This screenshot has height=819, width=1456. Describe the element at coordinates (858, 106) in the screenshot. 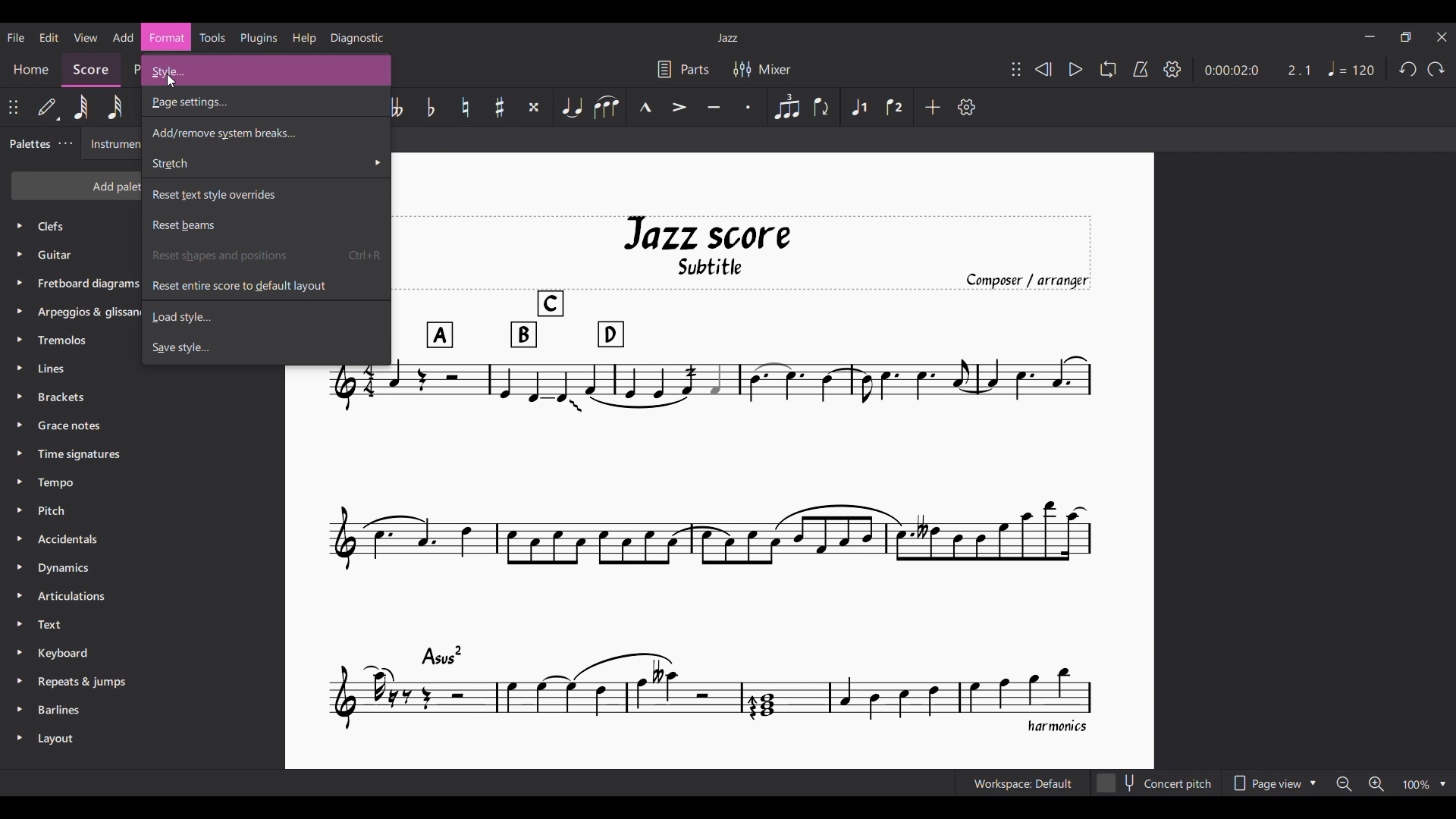

I see `Voice 1` at that location.